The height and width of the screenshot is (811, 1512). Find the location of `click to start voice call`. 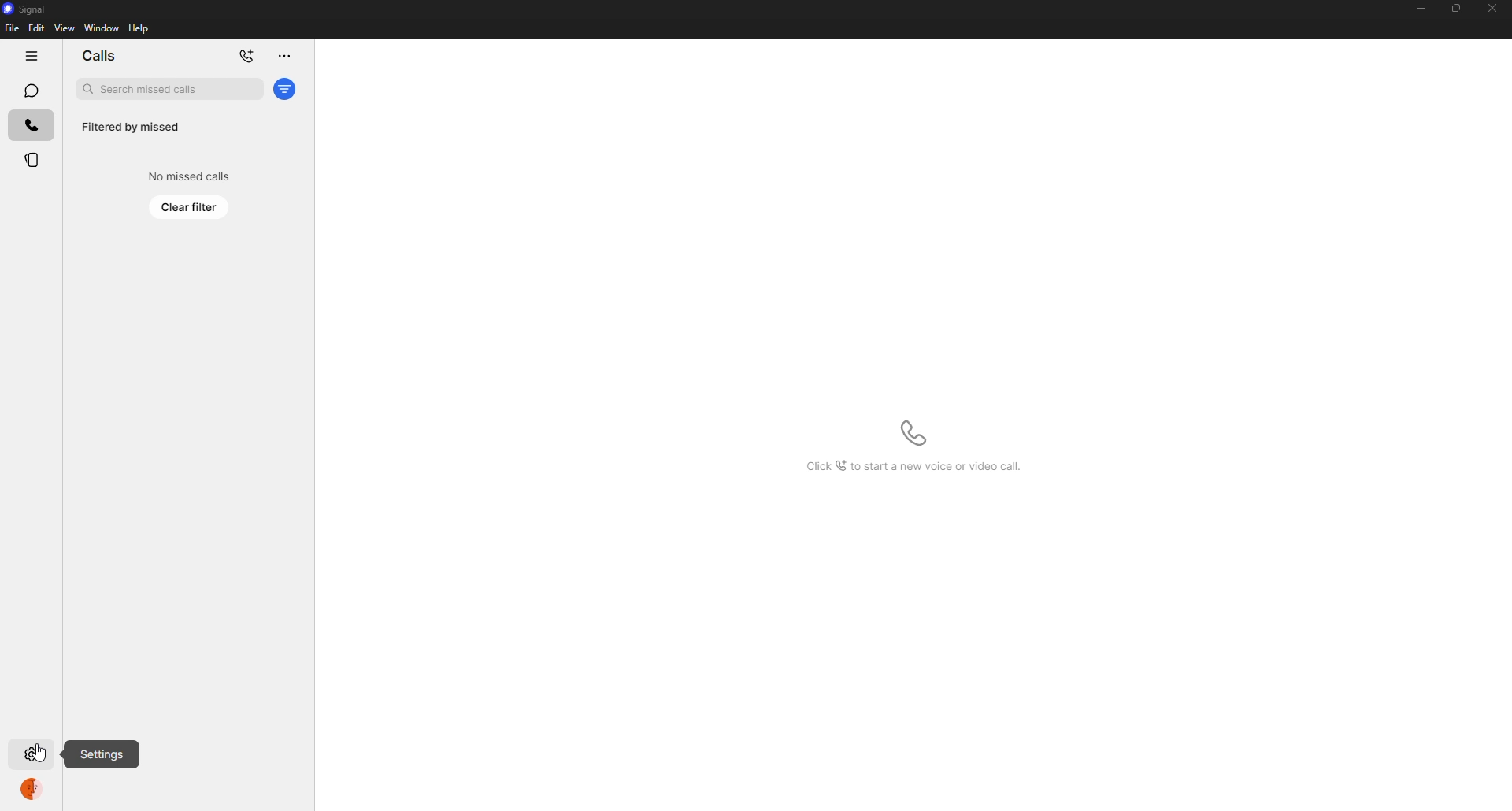

click to start voice call is located at coordinates (910, 432).